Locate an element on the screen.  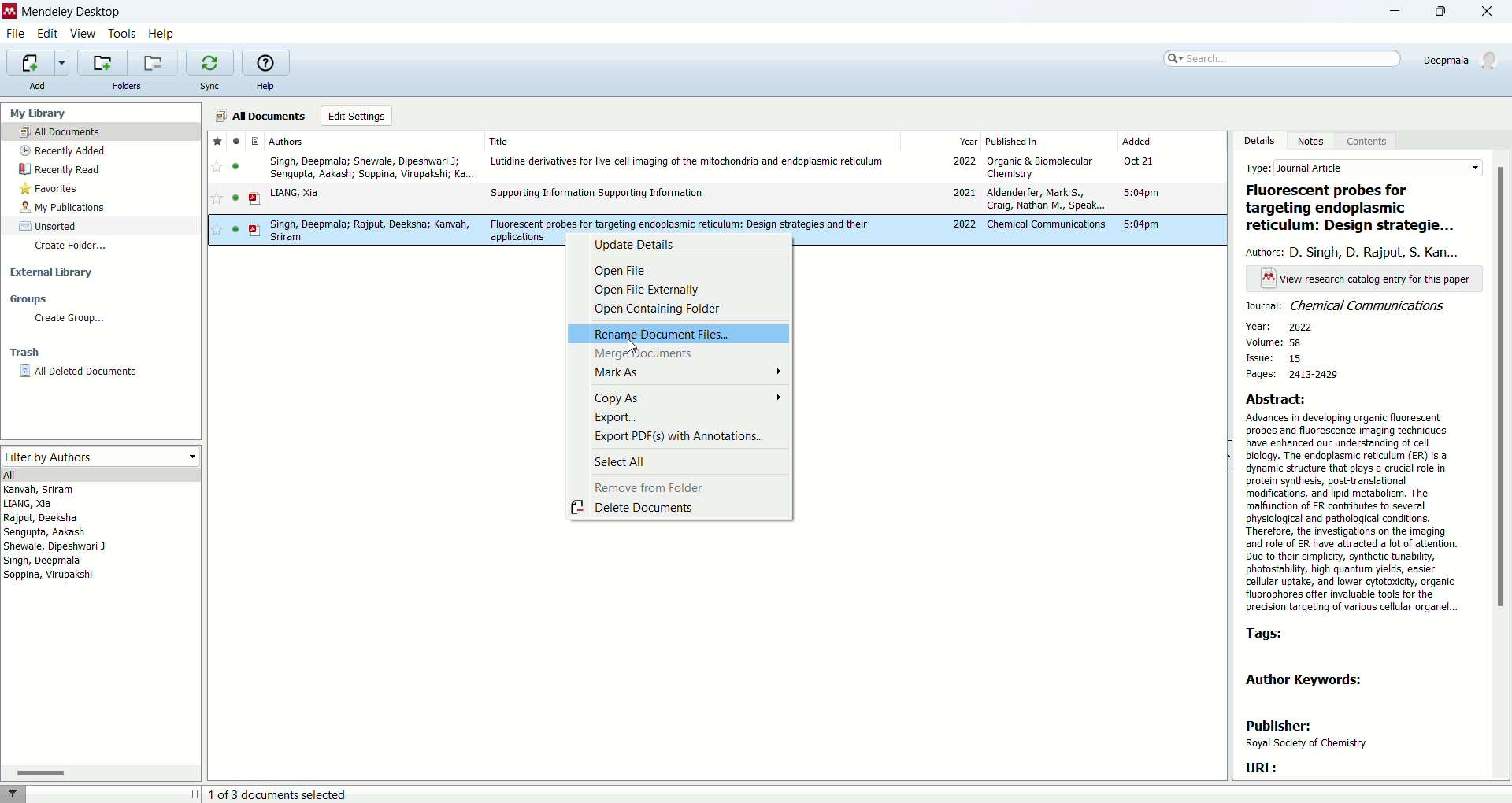
groups is located at coordinates (28, 301).